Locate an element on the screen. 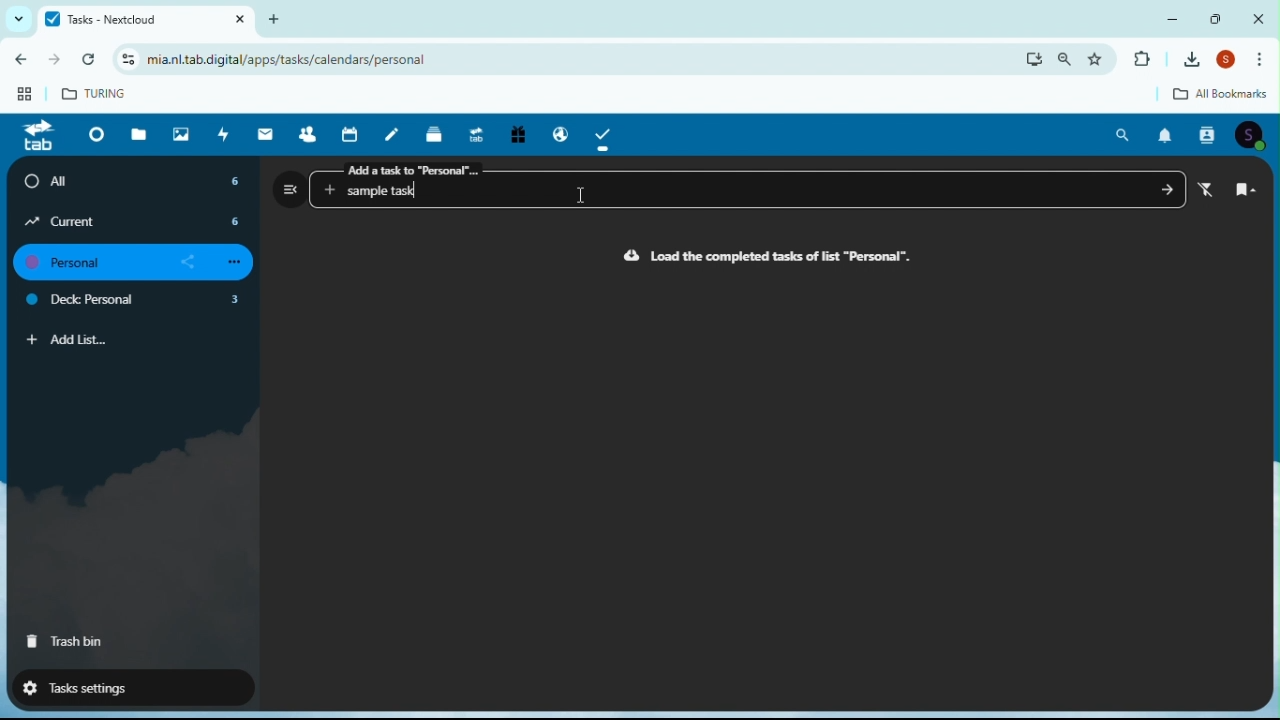 This screenshot has height=720, width=1280. current is located at coordinates (134, 221).